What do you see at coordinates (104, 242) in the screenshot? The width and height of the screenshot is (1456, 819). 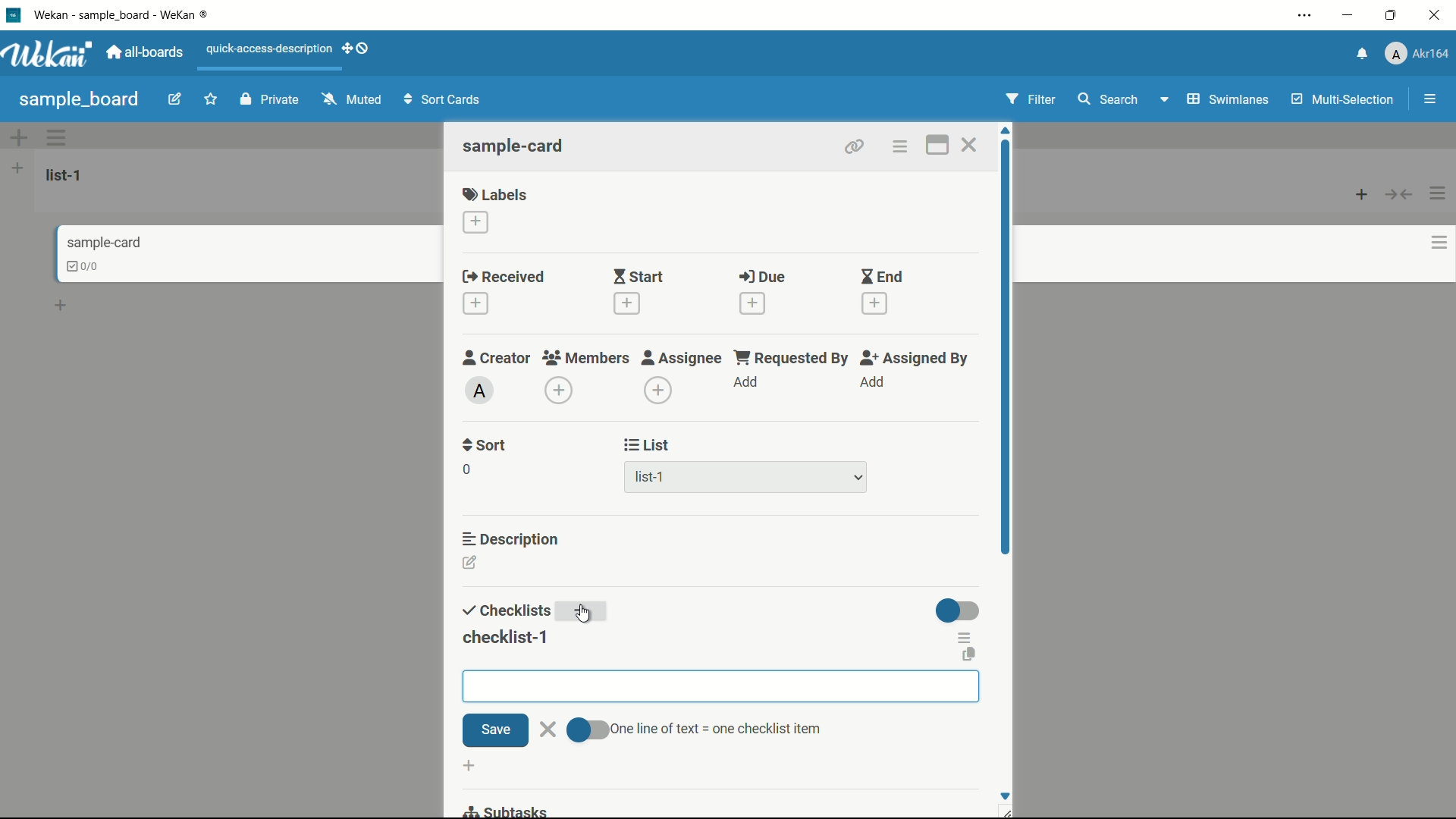 I see `card name` at bounding box center [104, 242].